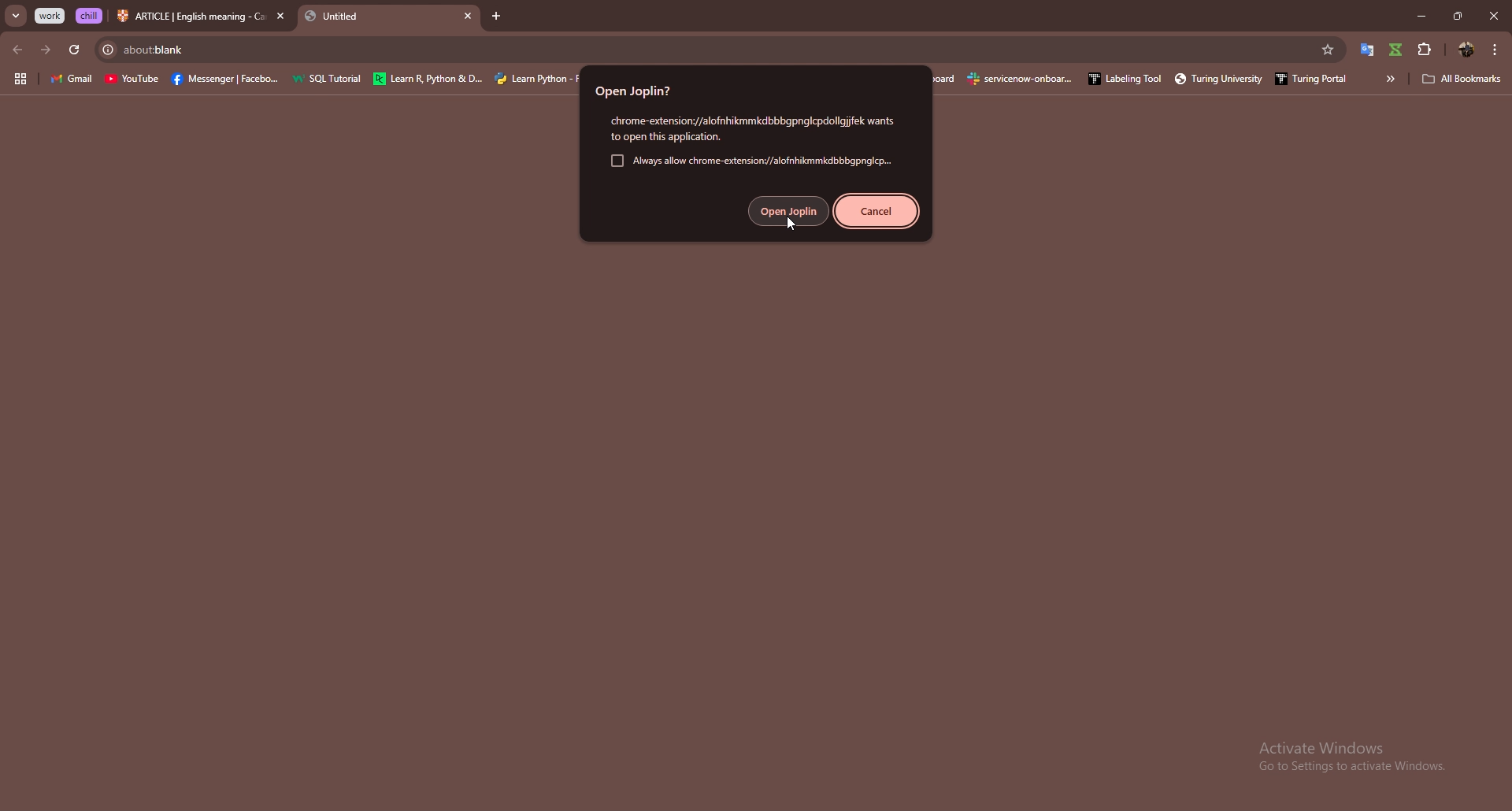 The image size is (1512, 811). What do you see at coordinates (469, 17) in the screenshot?
I see `close tab` at bounding box center [469, 17].